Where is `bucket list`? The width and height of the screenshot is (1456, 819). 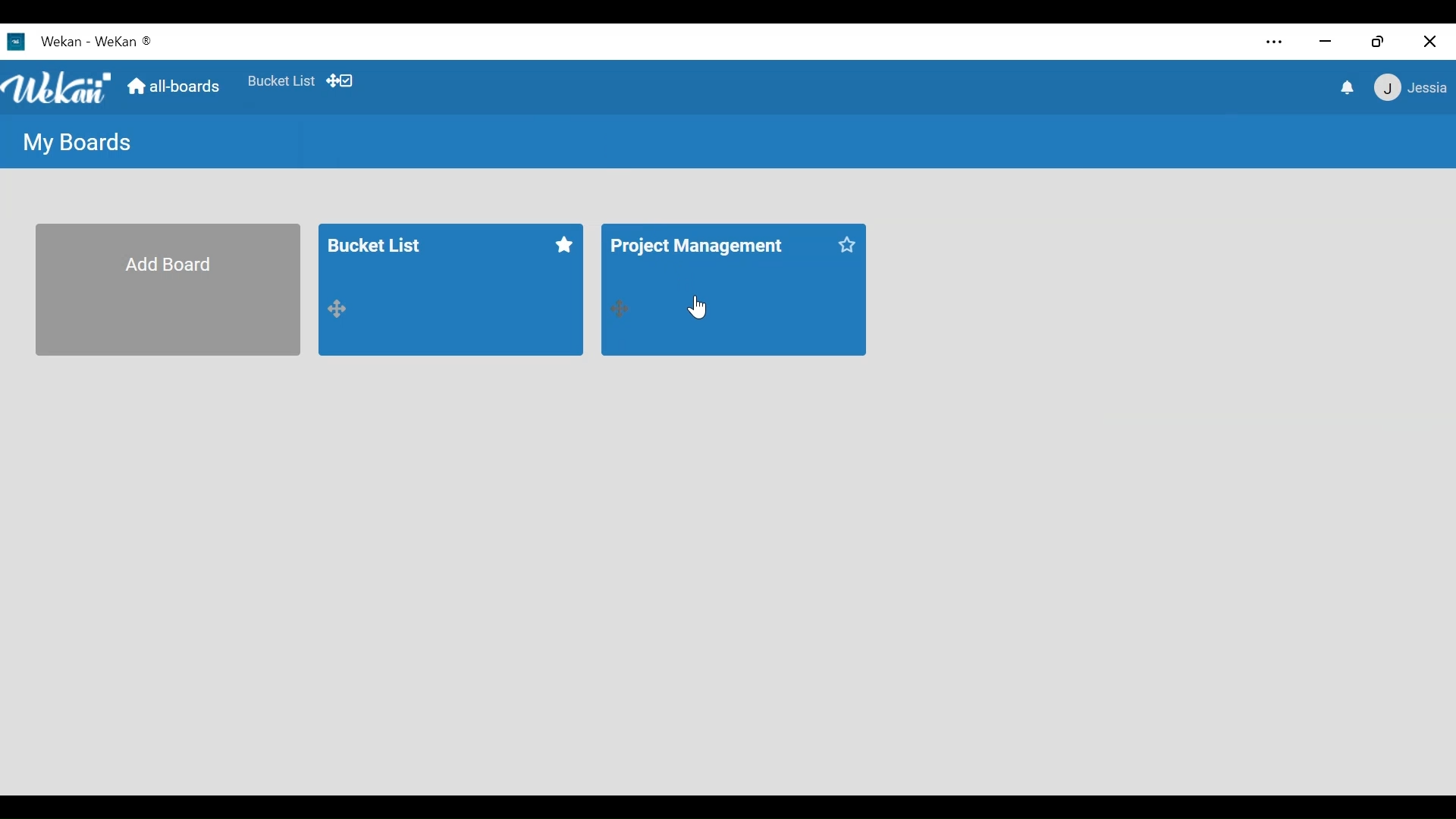
bucket list is located at coordinates (407, 251).